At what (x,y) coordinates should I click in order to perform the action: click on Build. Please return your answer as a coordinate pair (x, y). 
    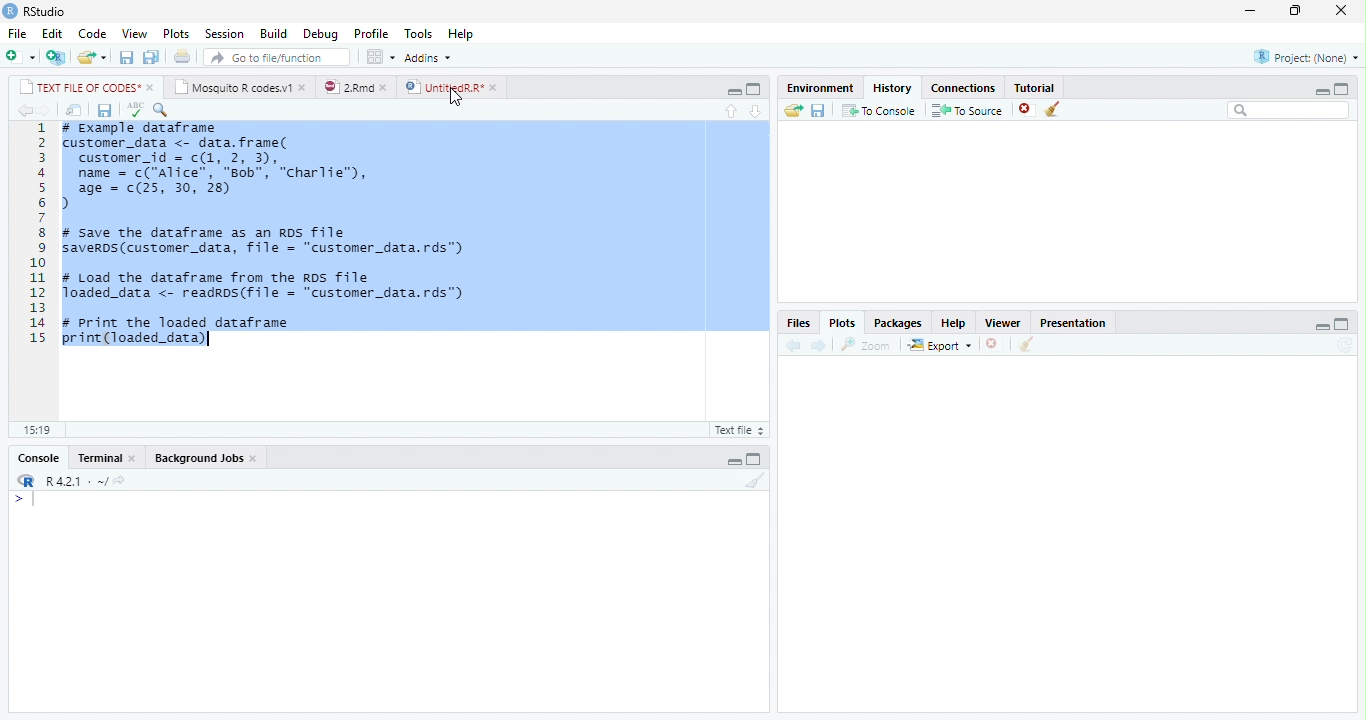
    Looking at the image, I should click on (274, 34).